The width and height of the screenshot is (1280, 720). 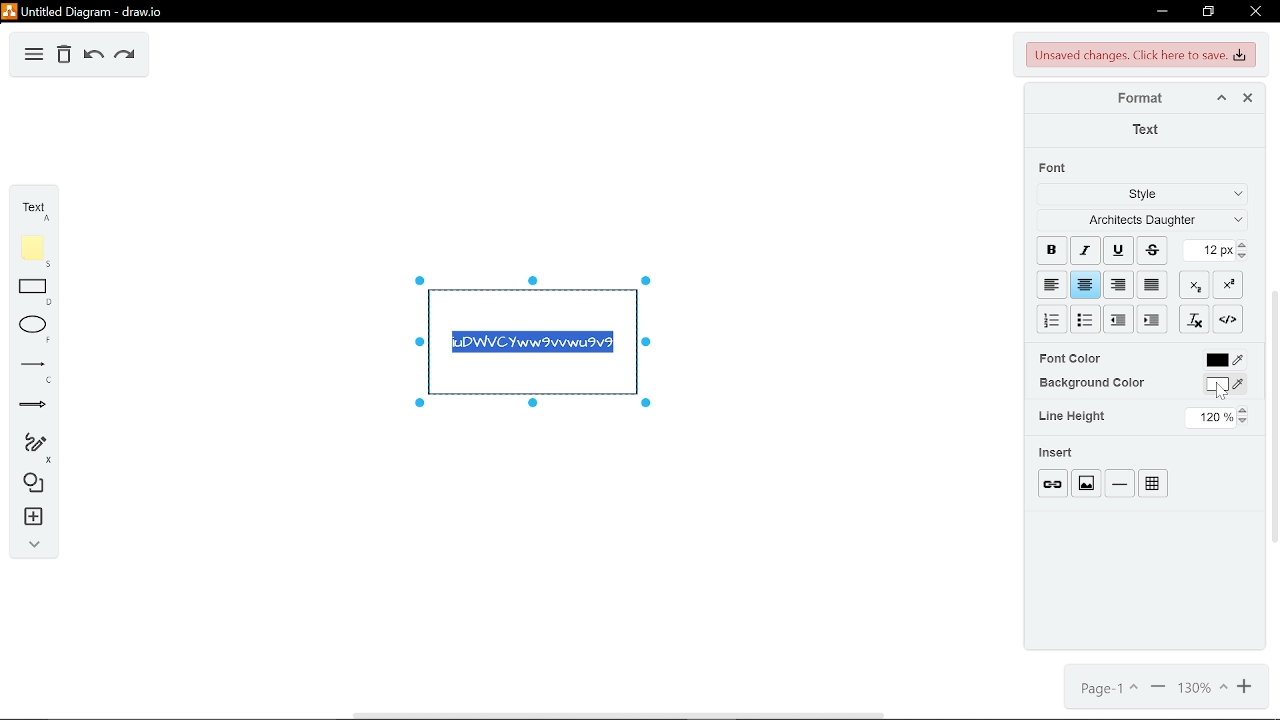 What do you see at coordinates (64, 56) in the screenshot?
I see `delete` at bounding box center [64, 56].